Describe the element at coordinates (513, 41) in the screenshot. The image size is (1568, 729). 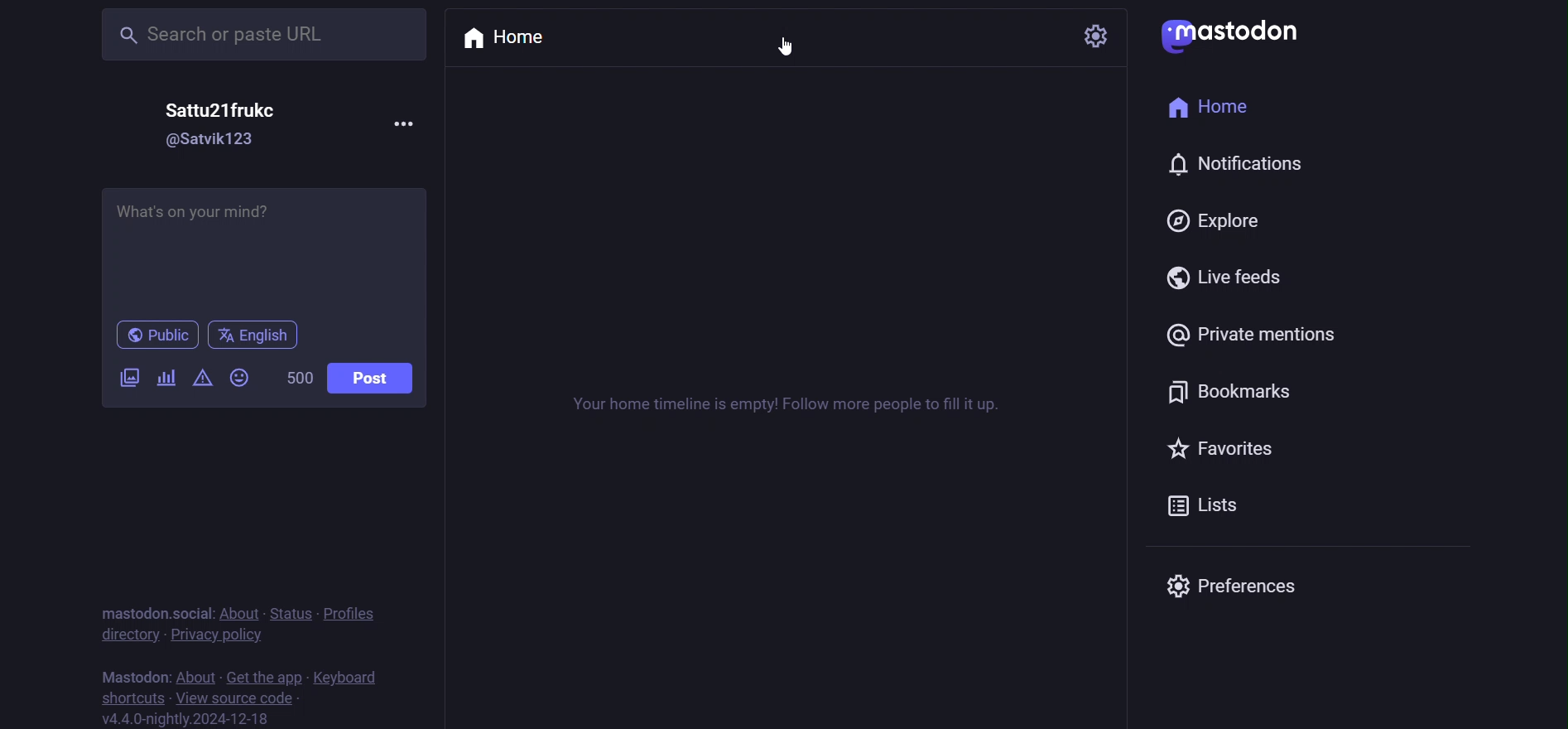
I see `home` at that location.